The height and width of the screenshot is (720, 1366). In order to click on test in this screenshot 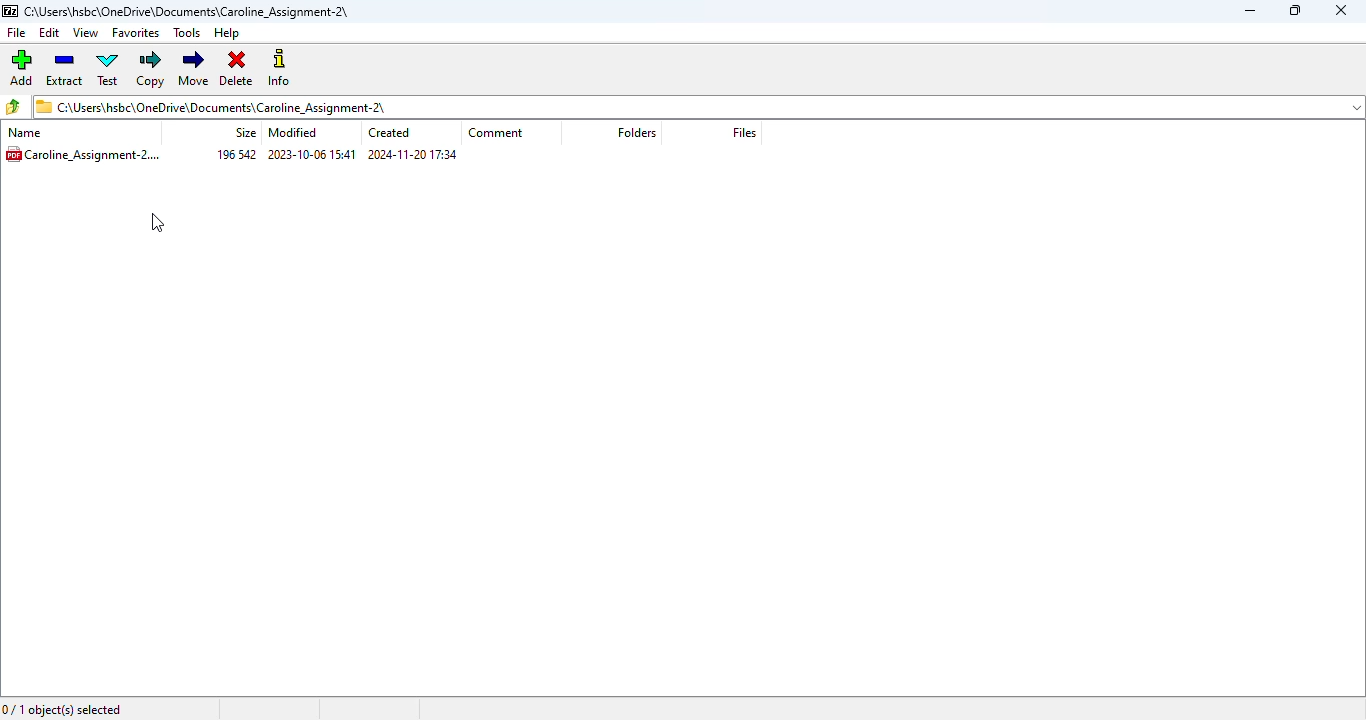, I will do `click(108, 69)`.